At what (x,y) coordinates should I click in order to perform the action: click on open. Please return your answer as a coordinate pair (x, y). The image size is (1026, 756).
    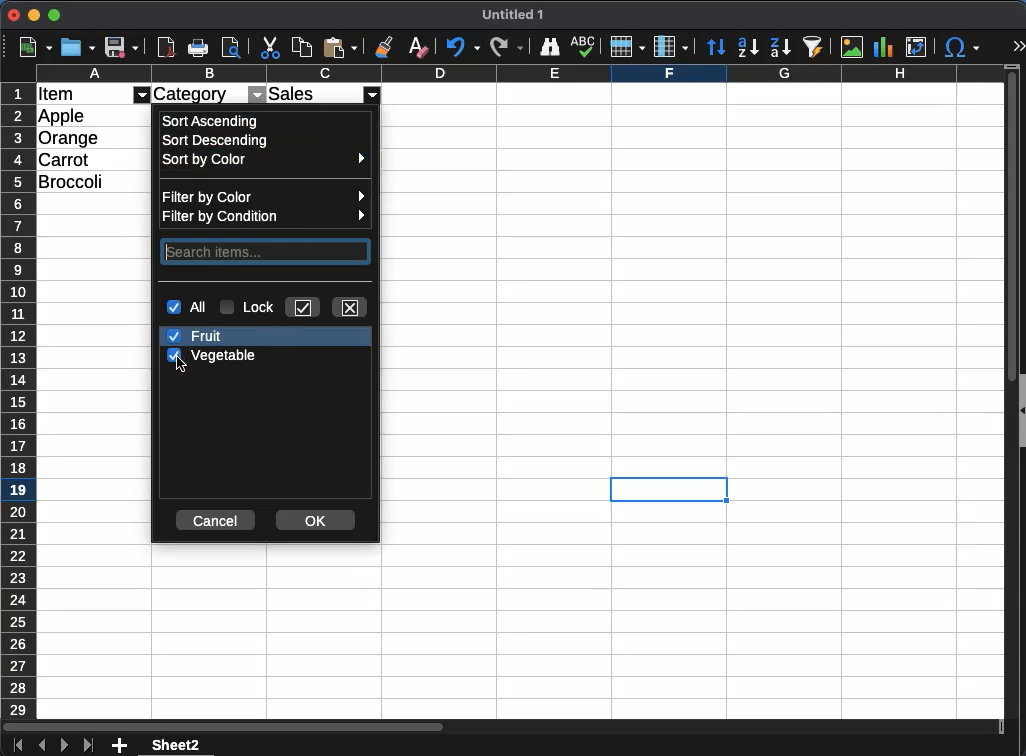
    Looking at the image, I should click on (79, 47).